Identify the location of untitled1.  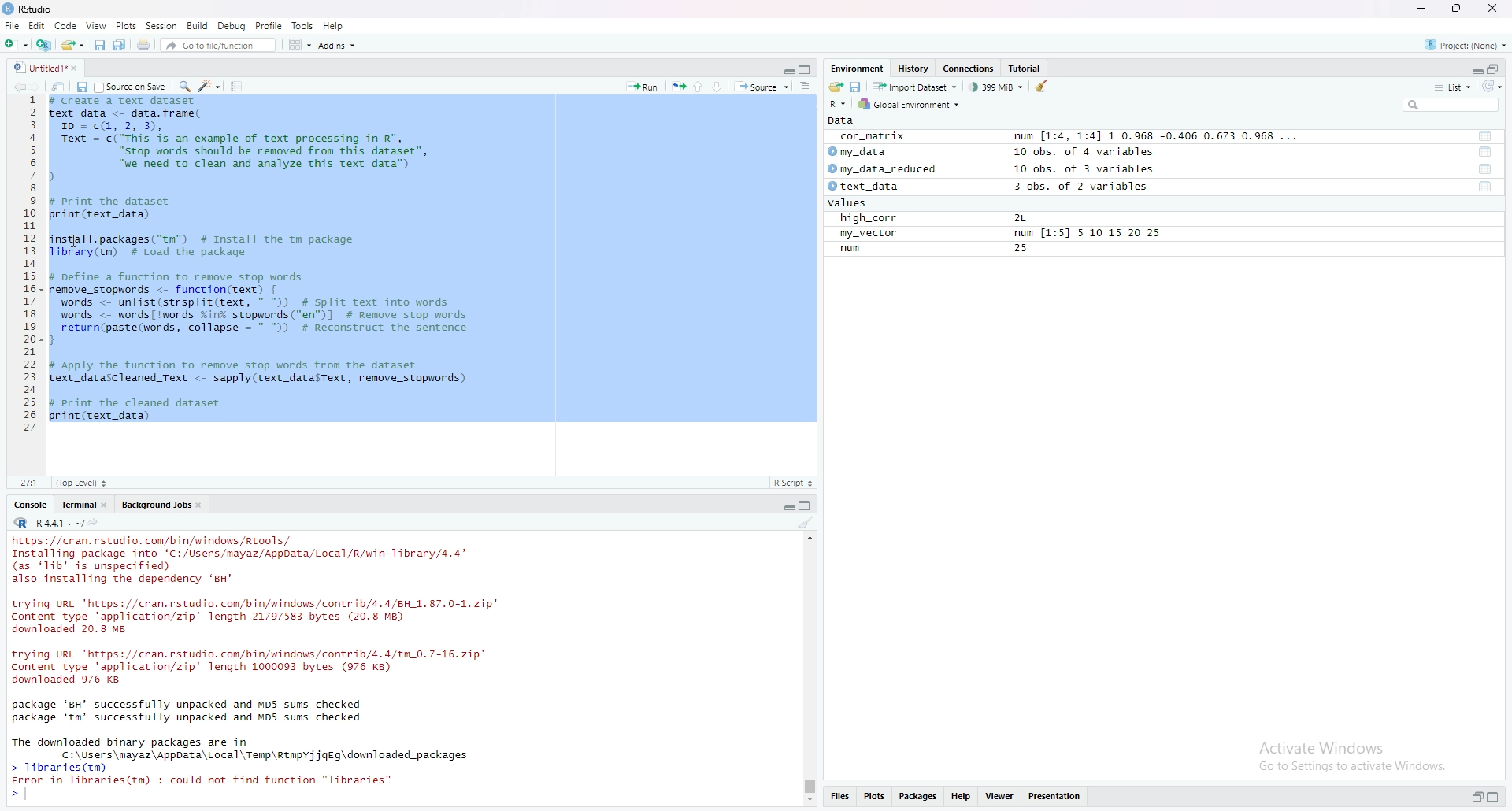
(48, 67).